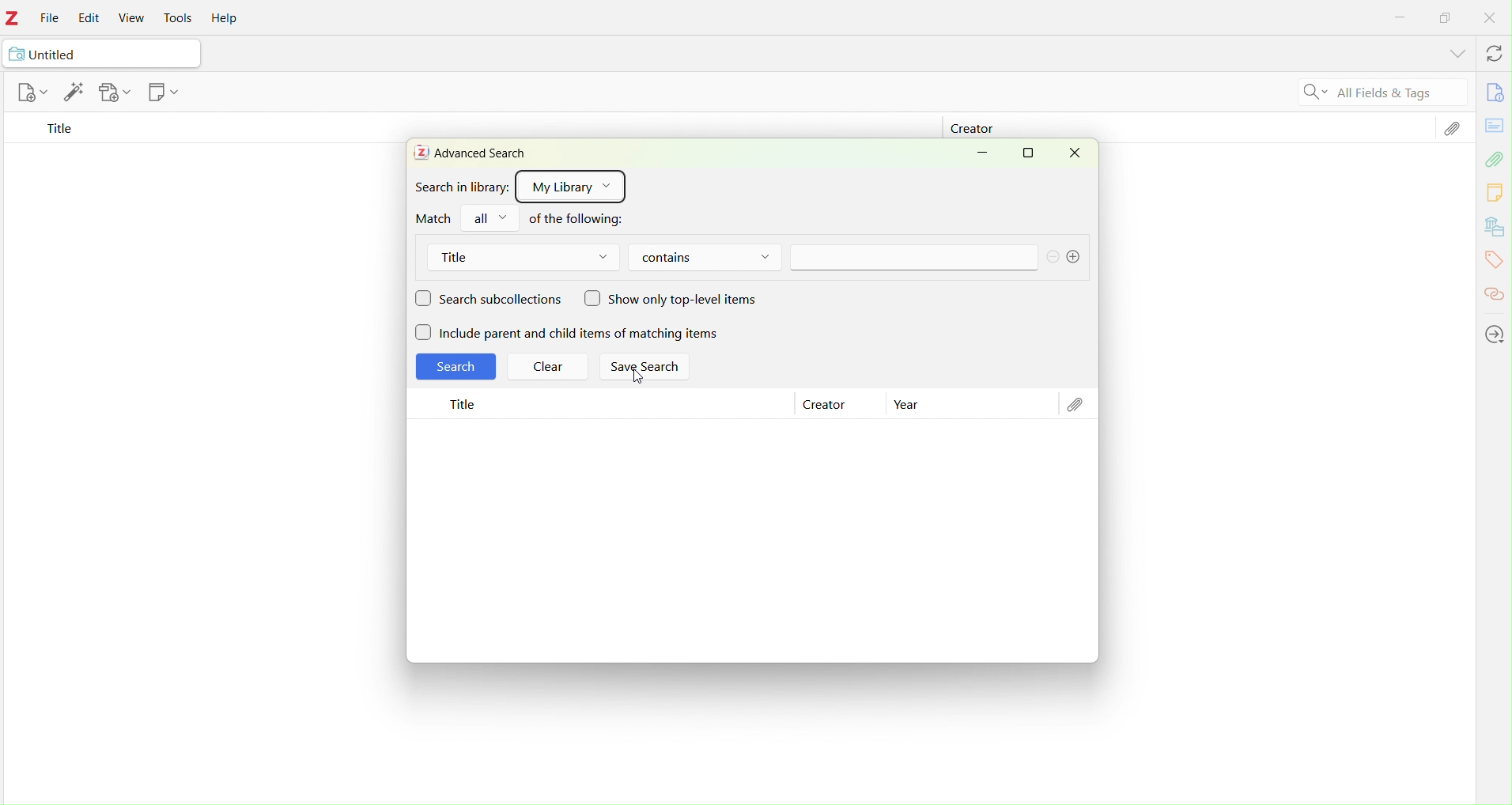 The image size is (1512, 805). I want to click on , so click(15, 21).